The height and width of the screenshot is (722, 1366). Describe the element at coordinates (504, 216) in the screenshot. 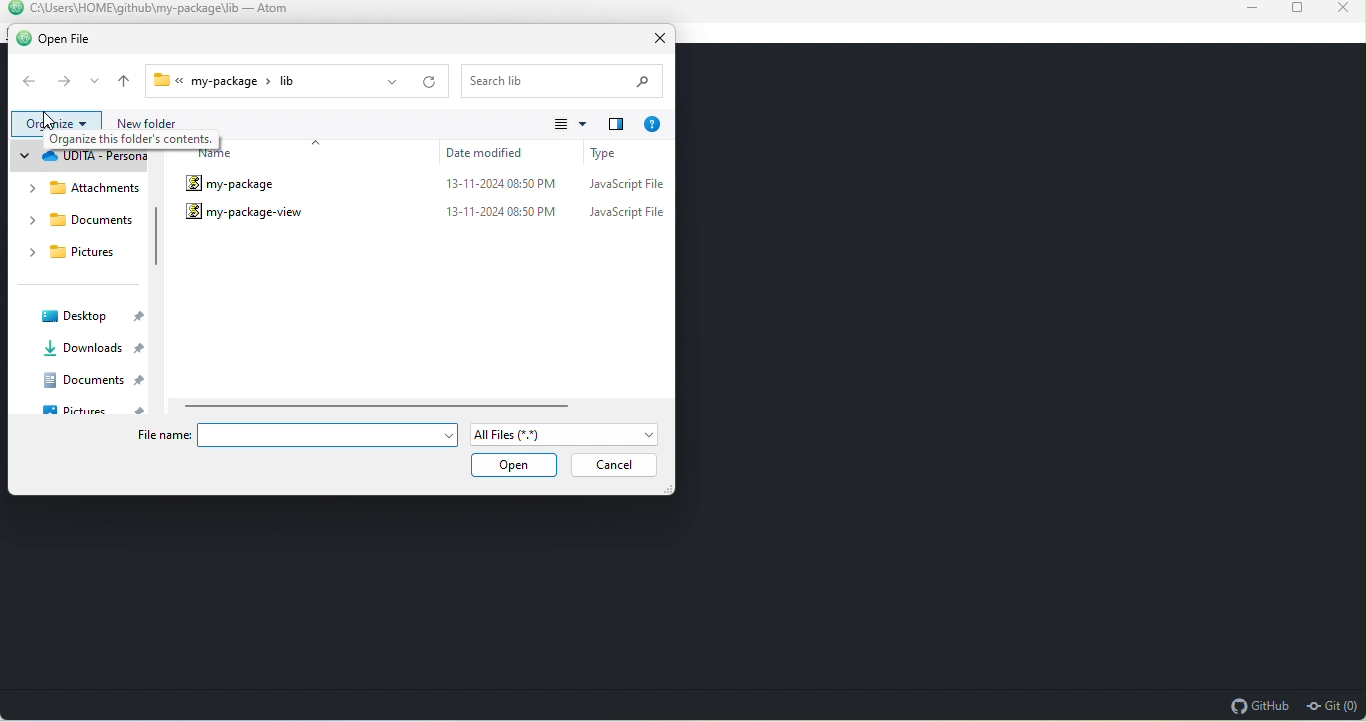

I see `13-11-2024 06:50 pm` at that location.